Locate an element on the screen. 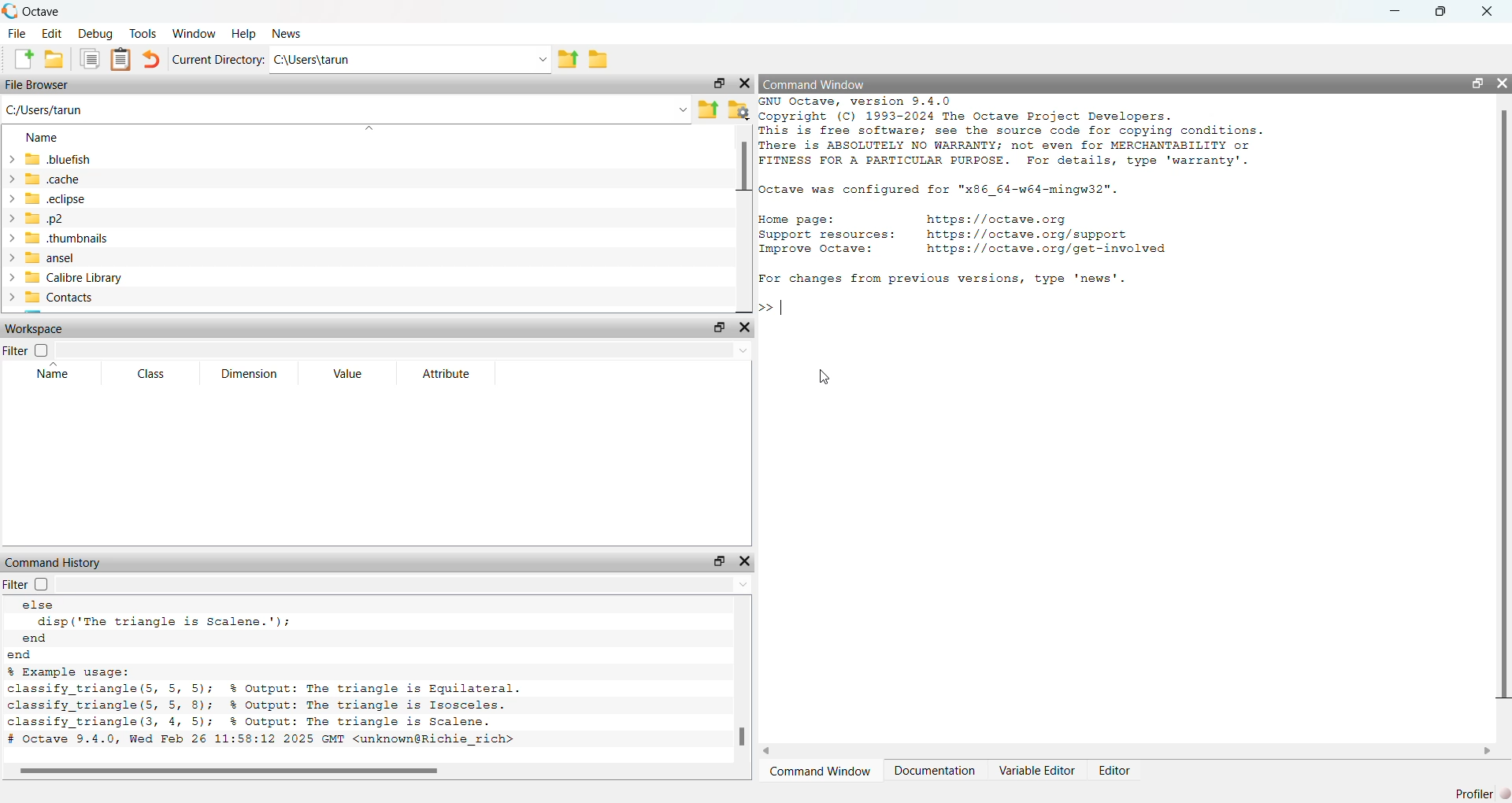 Image resolution: width=1512 pixels, height=803 pixels. hide widget is located at coordinates (745, 327).